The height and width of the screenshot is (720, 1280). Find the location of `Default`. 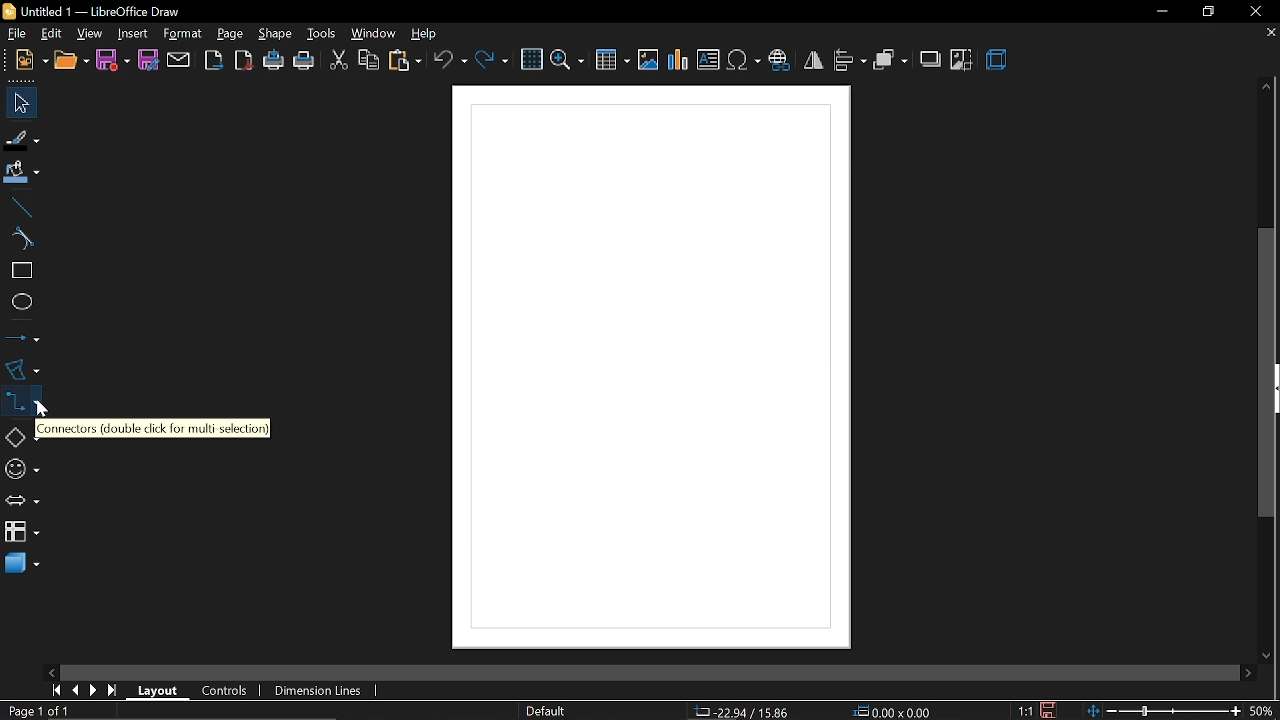

Default is located at coordinates (546, 712).